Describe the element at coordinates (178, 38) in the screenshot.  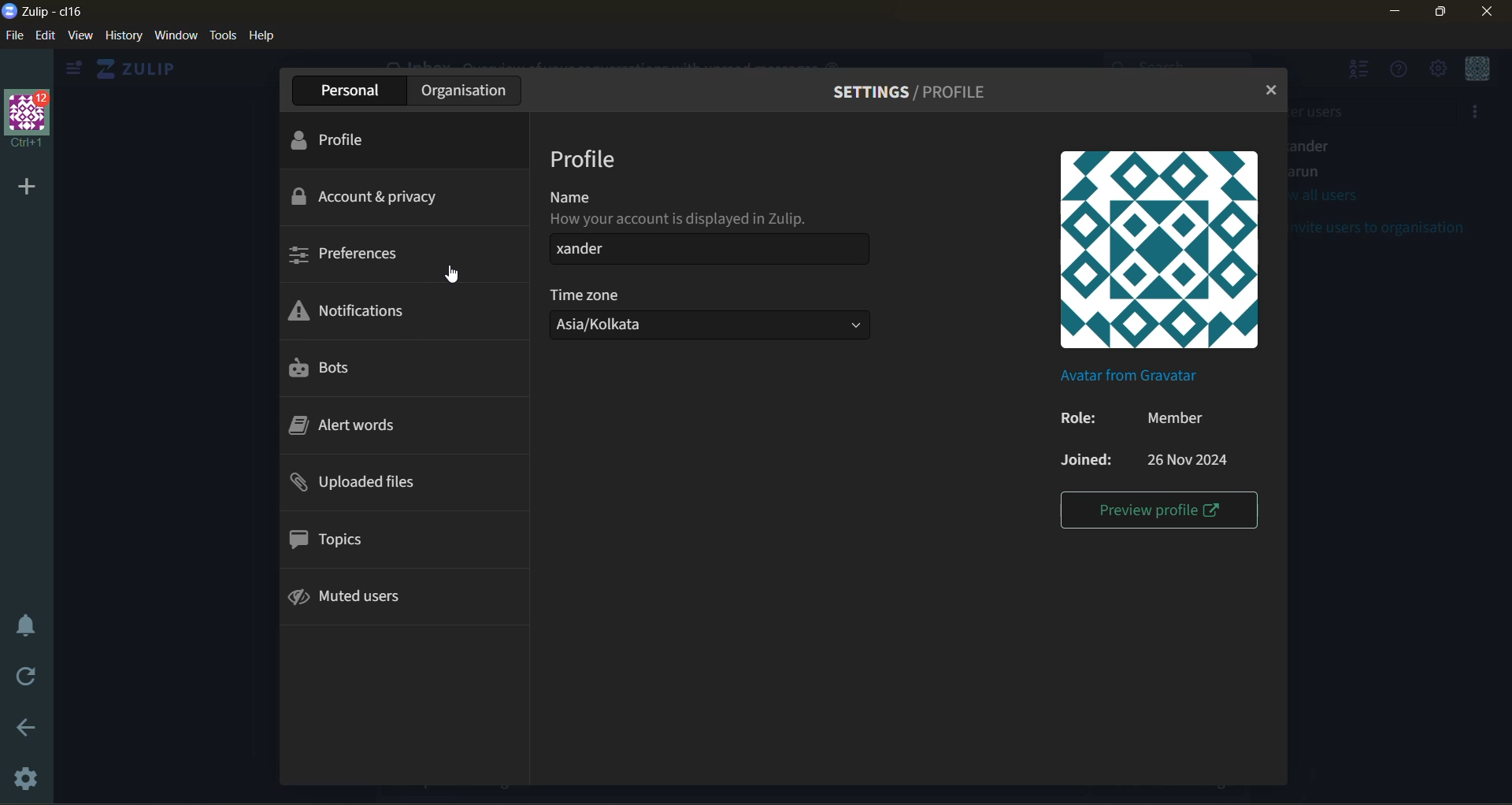
I see `window` at that location.